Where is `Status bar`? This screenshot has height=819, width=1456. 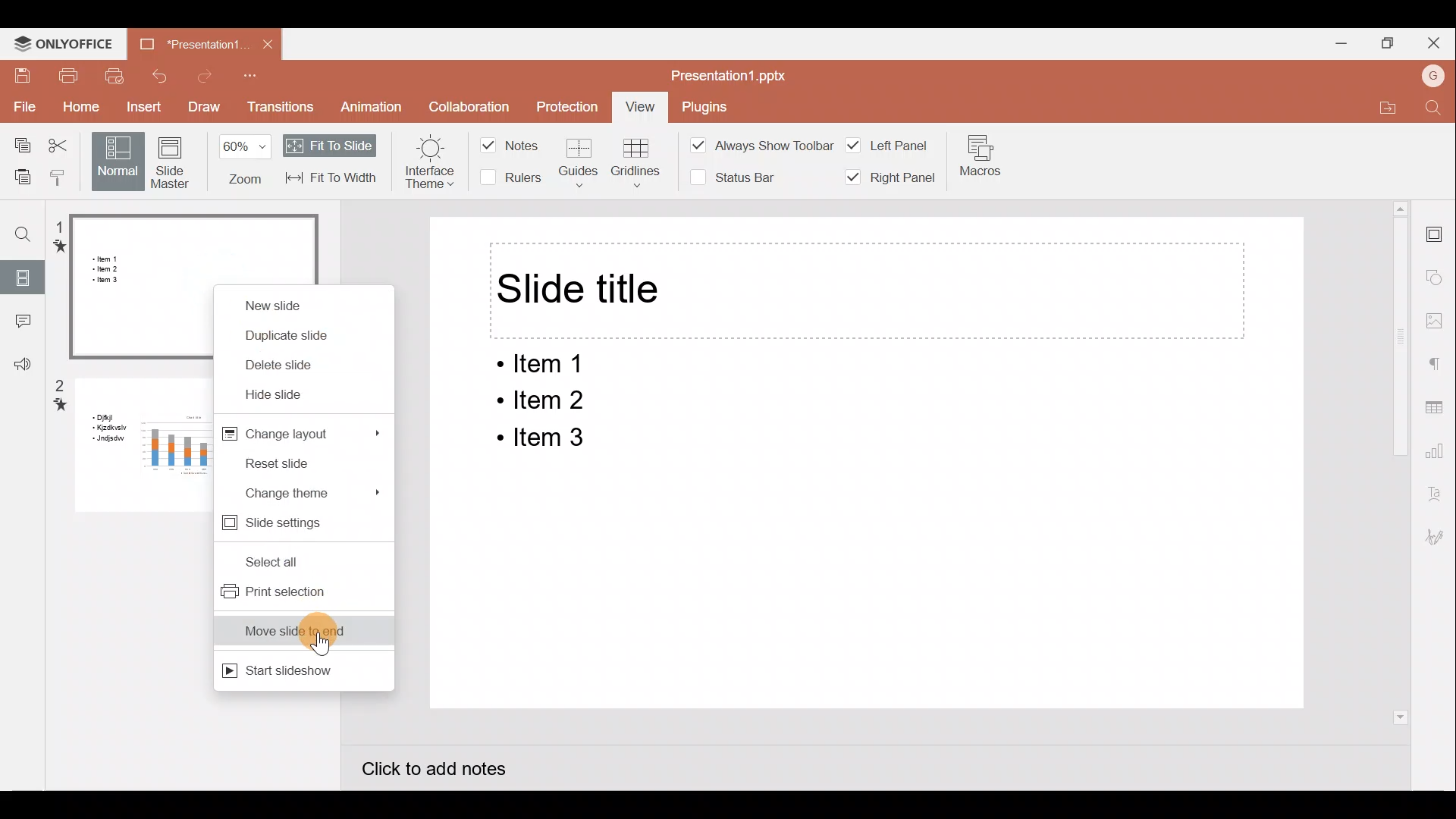 Status bar is located at coordinates (741, 175).